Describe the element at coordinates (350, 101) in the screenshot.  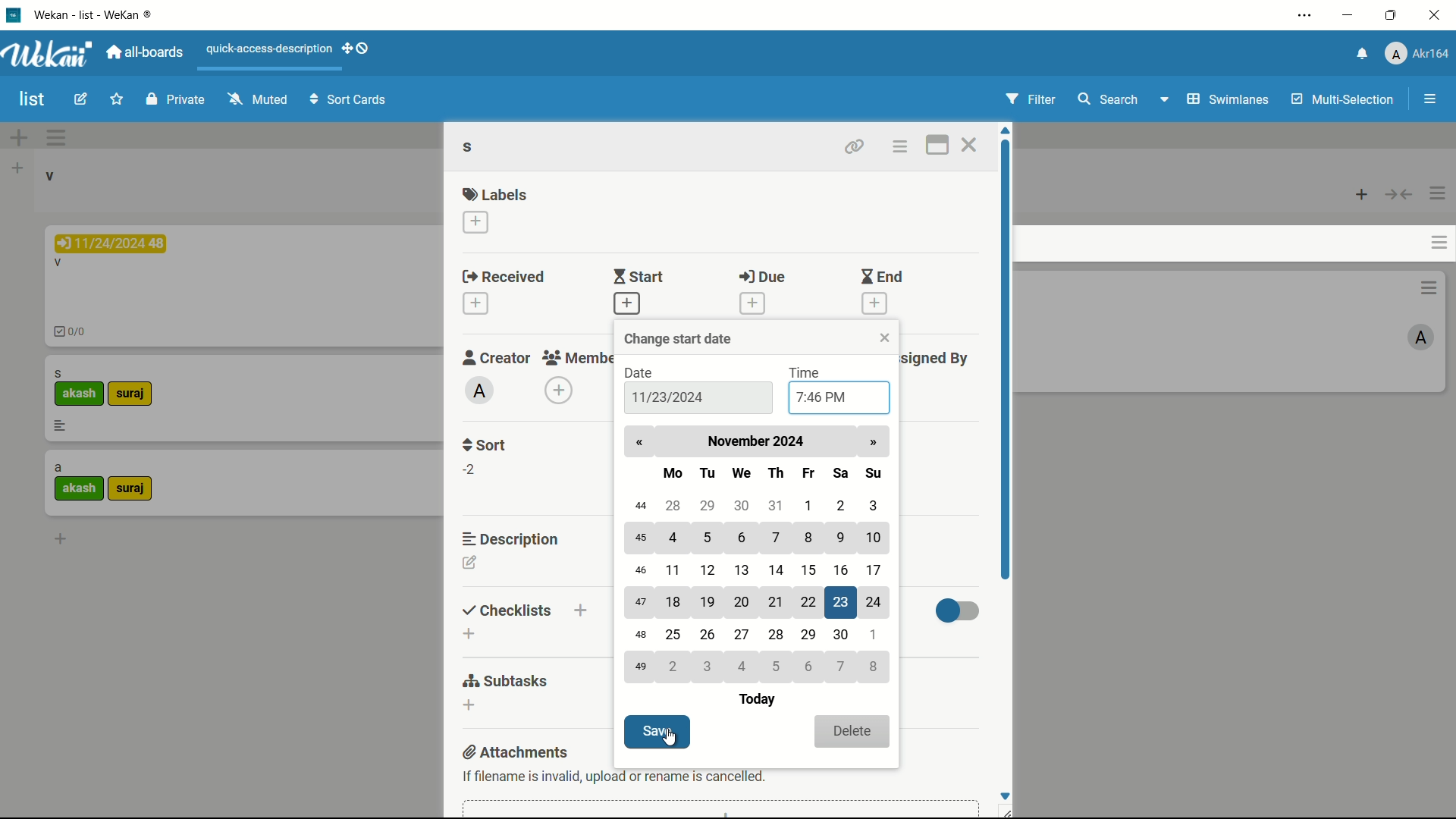
I see `sort cards` at that location.